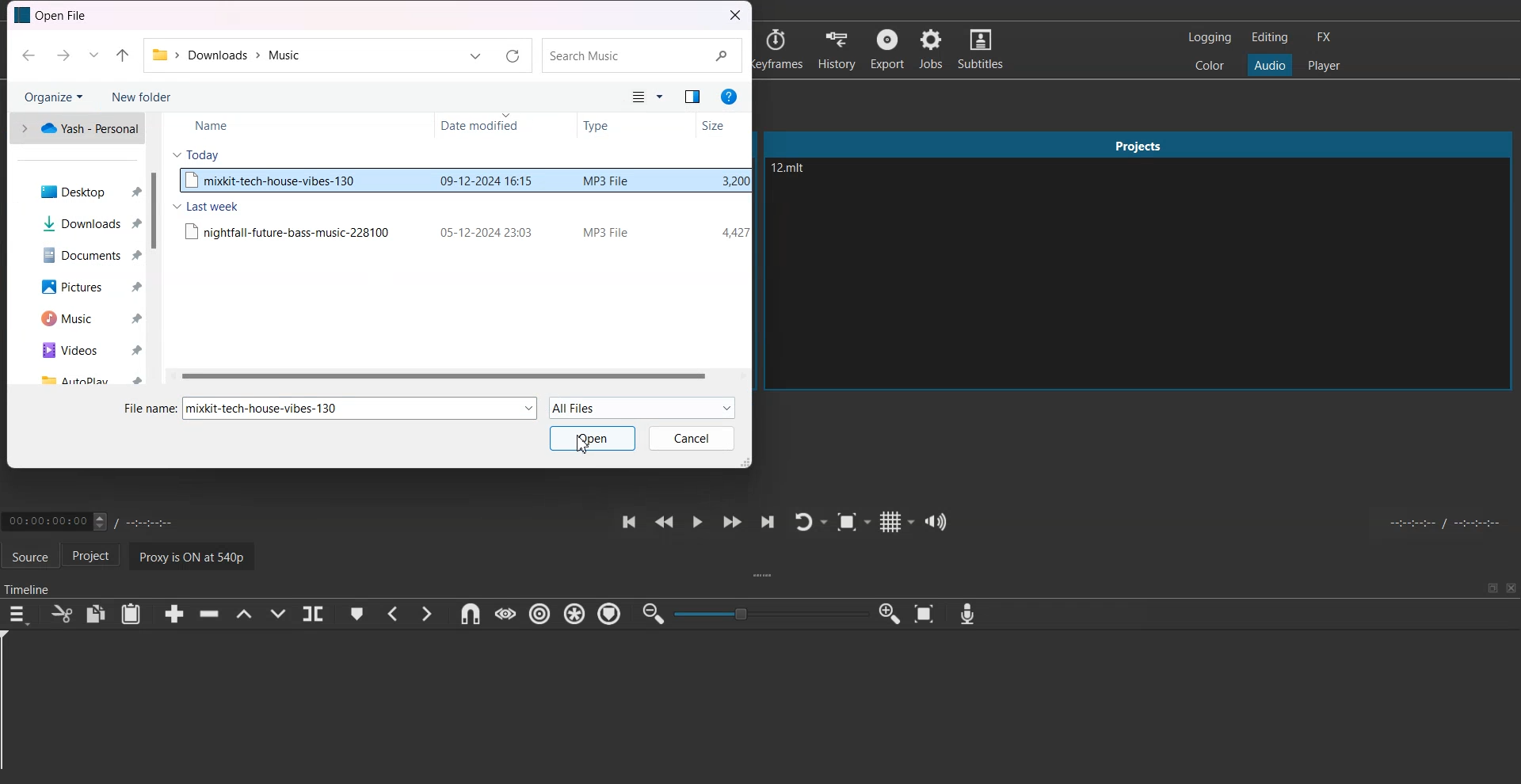 Image resolution: width=1521 pixels, height=784 pixels. Describe the element at coordinates (936, 521) in the screenshot. I see `Show the volume control` at that location.